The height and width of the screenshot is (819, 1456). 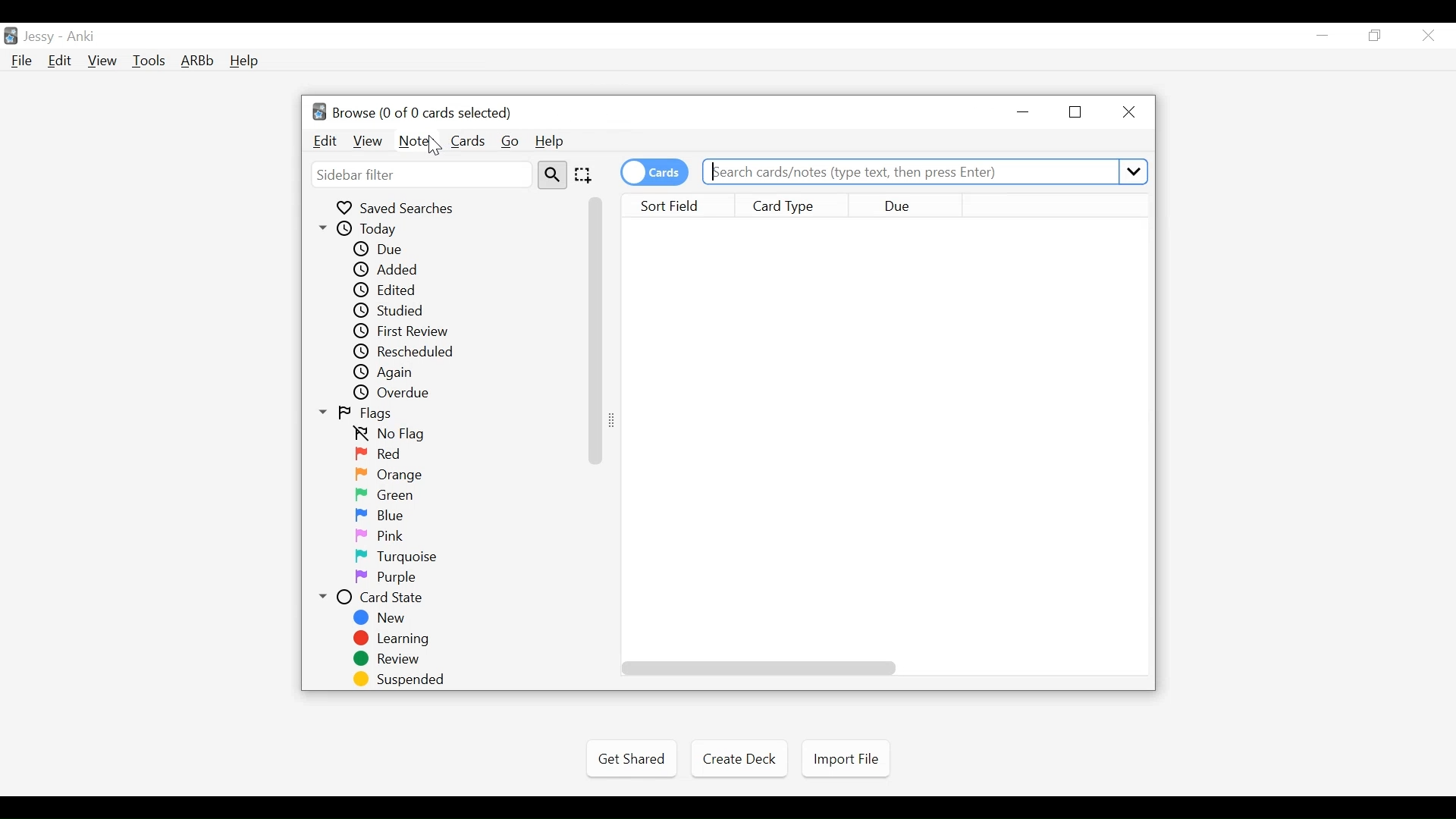 I want to click on Learning, so click(x=397, y=639).